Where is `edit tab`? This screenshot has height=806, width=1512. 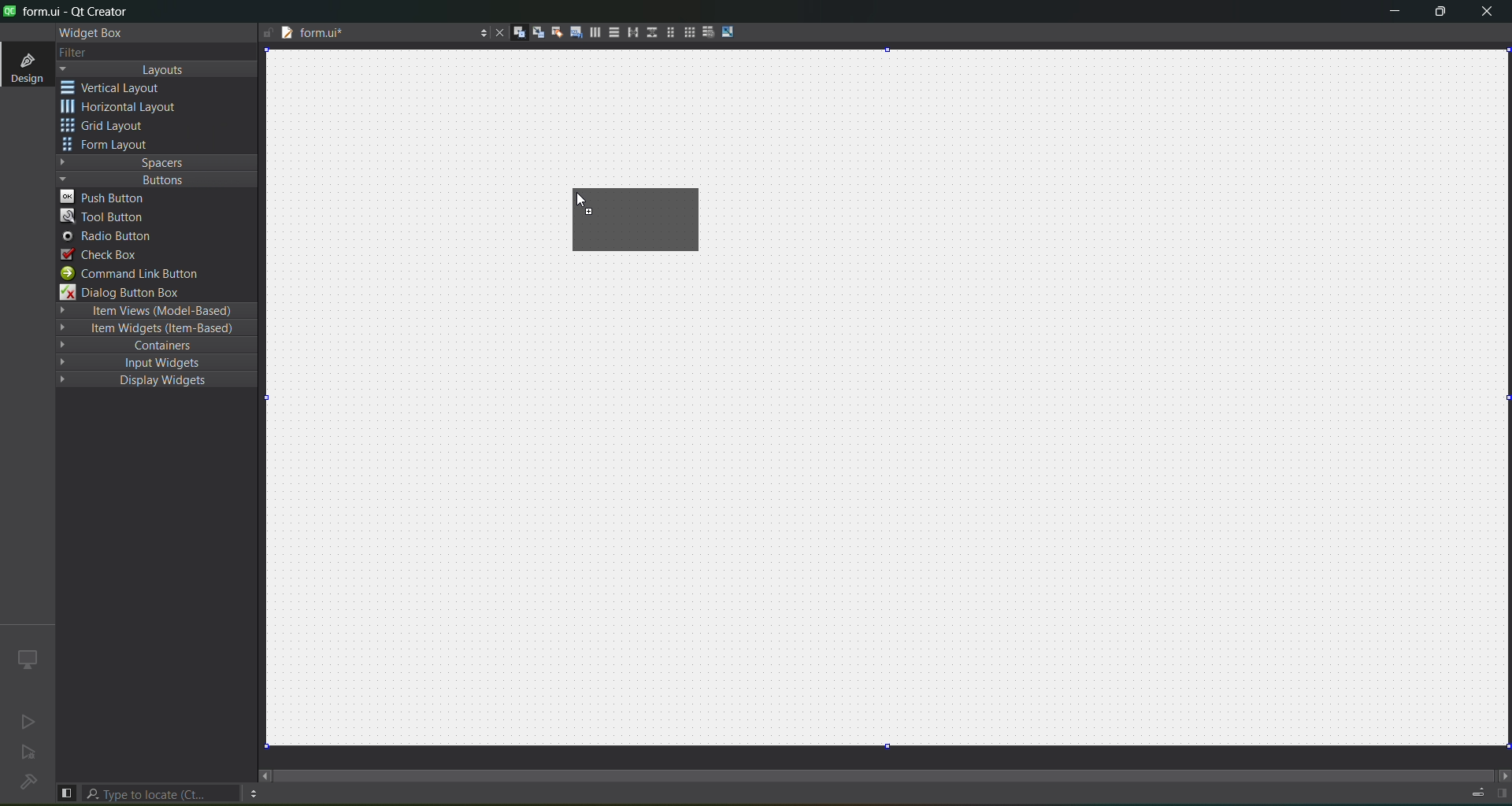
edit tab is located at coordinates (576, 35).